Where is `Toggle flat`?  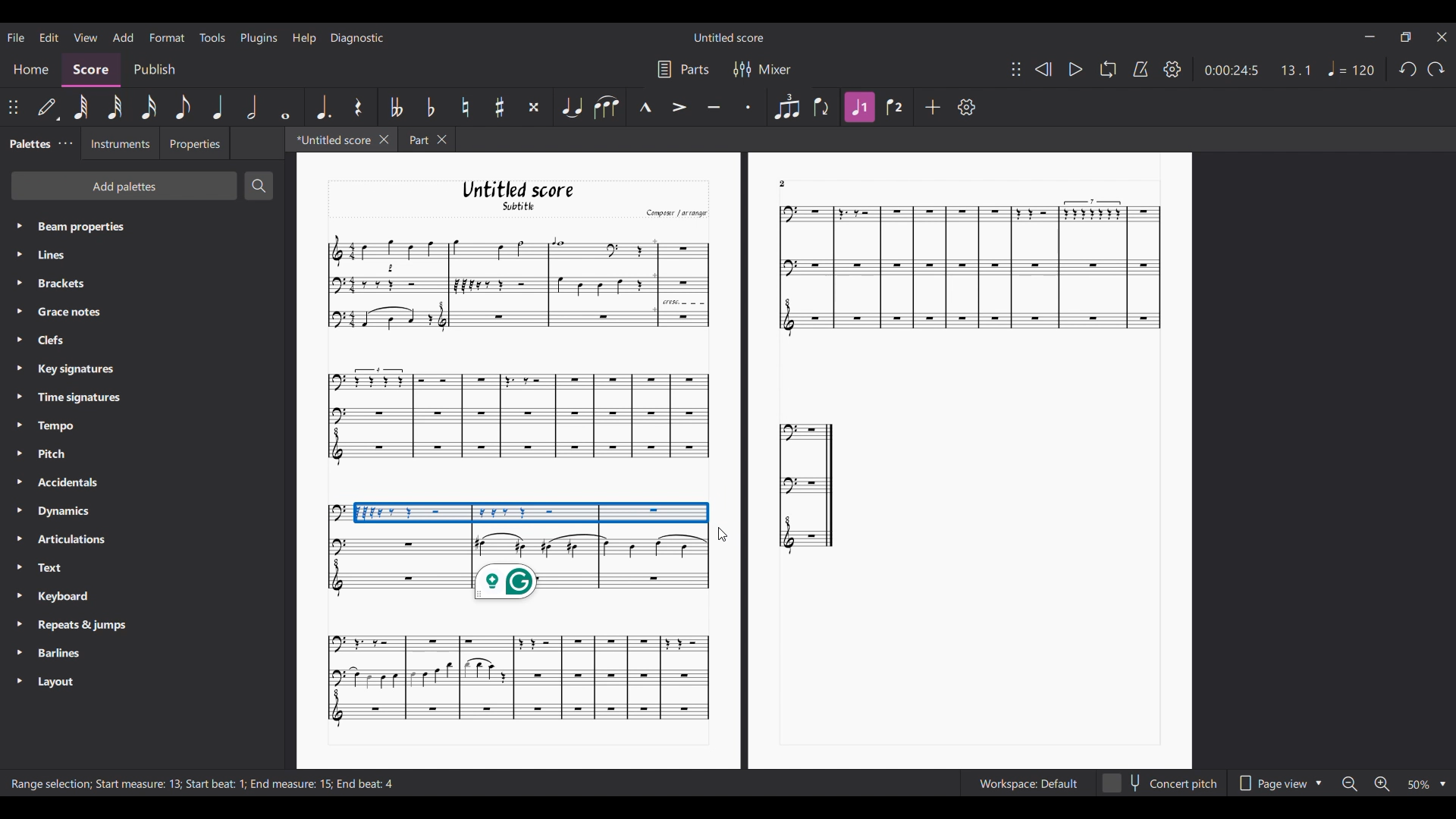 Toggle flat is located at coordinates (430, 106).